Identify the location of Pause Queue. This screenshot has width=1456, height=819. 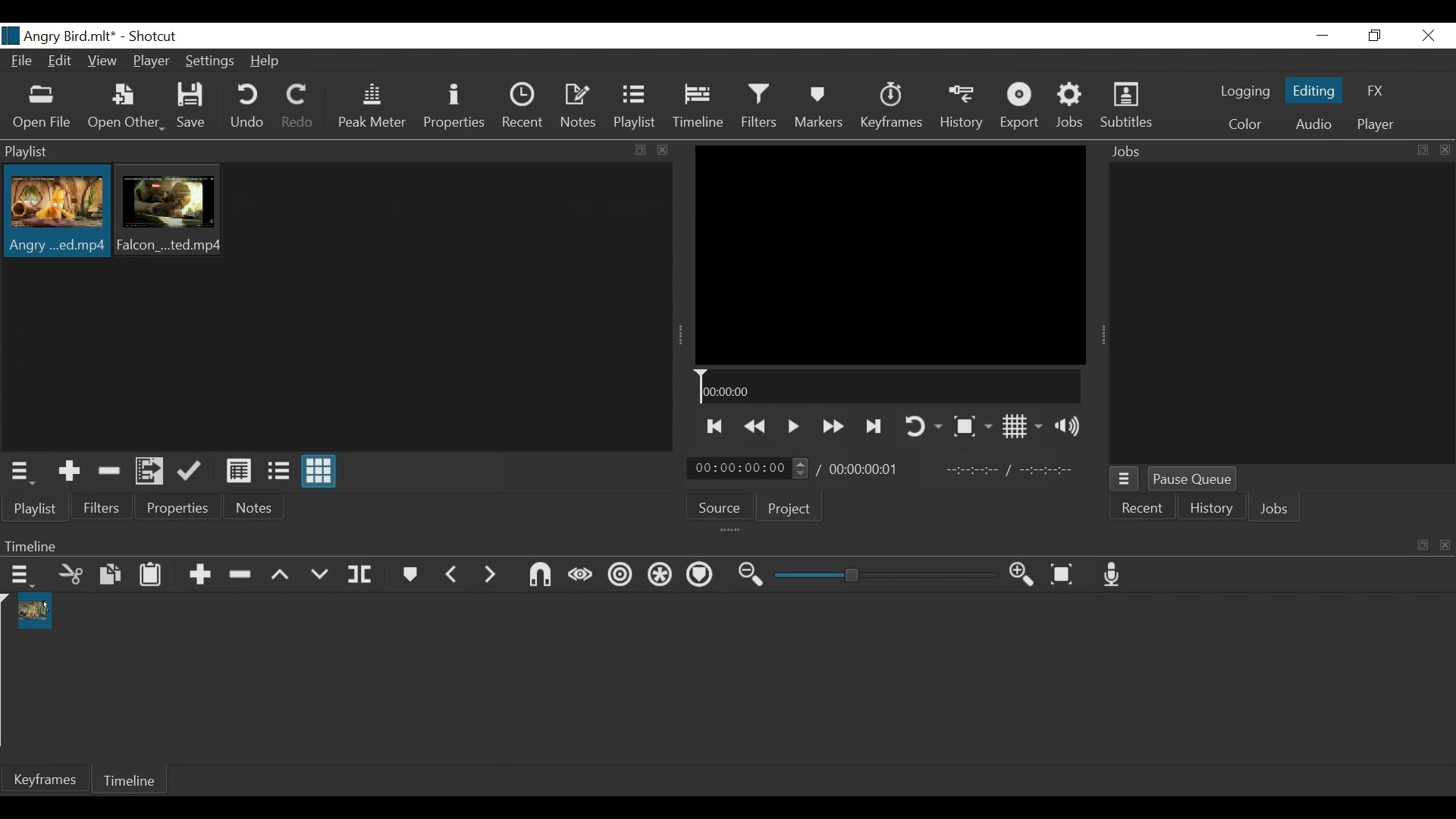
(1194, 479).